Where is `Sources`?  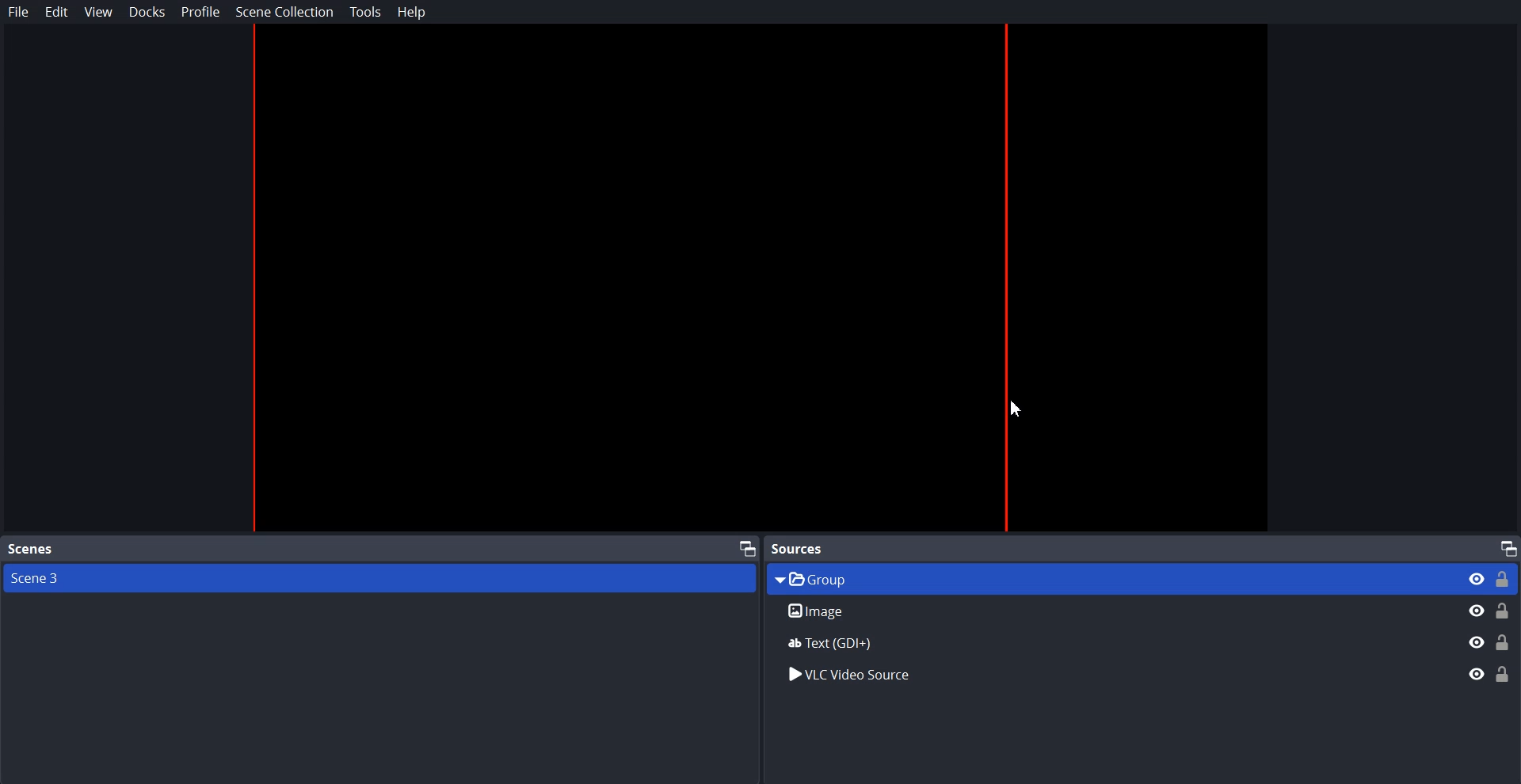
Sources is located at coordinates (802, 548).